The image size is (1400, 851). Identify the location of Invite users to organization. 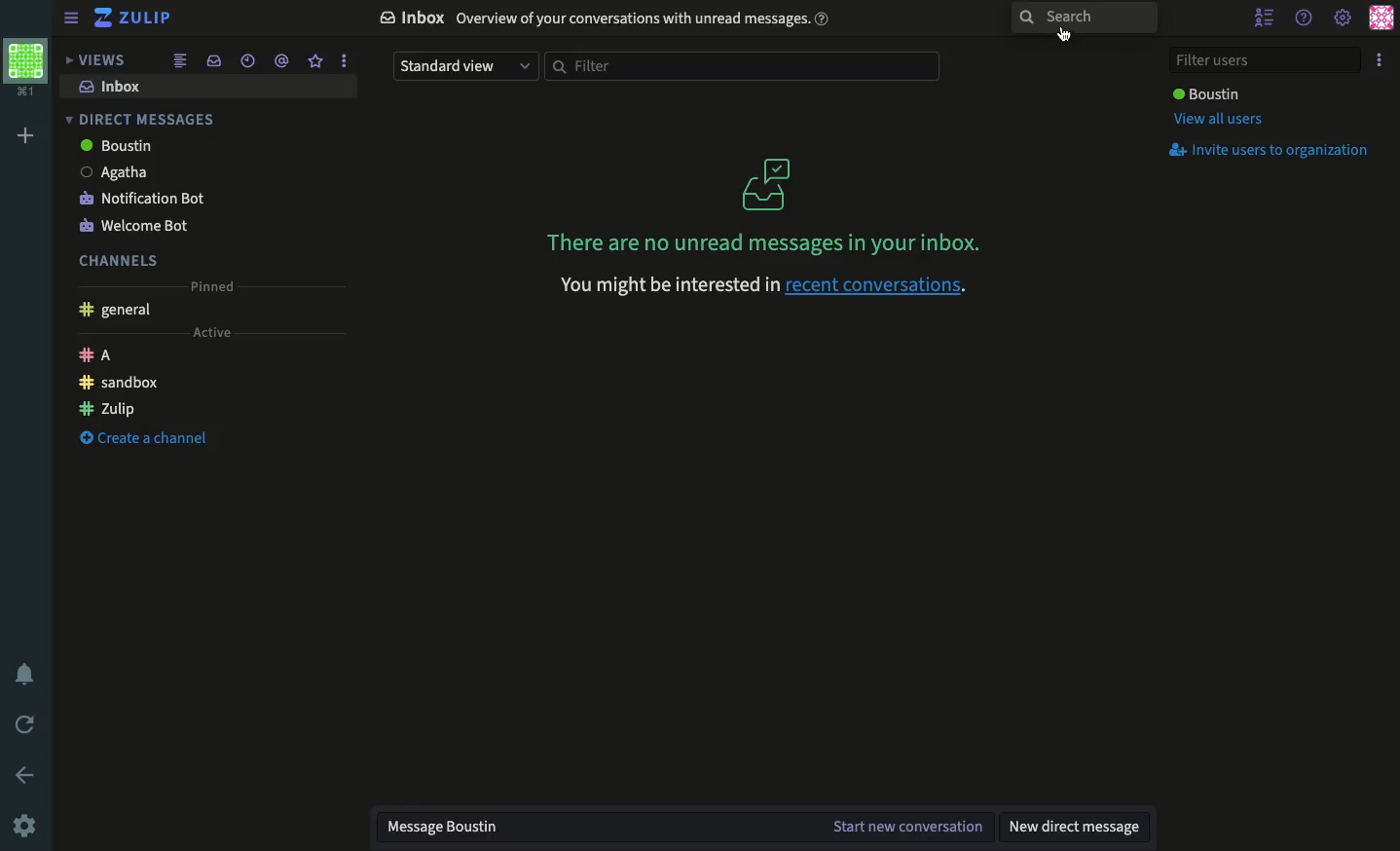
(1274, 151).